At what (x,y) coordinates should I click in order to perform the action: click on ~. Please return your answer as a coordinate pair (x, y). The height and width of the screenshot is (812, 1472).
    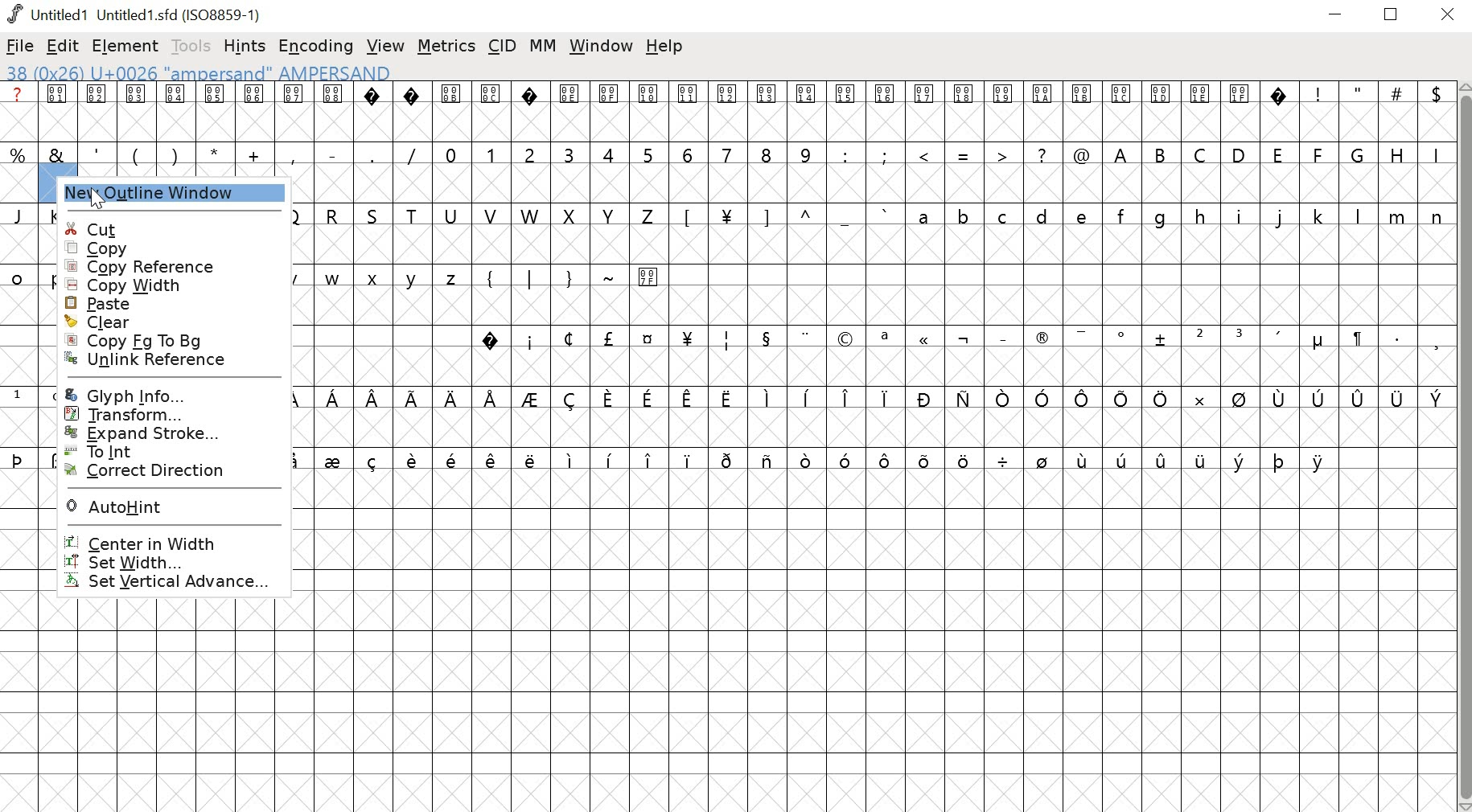
    Looking at the image, I should click on (611, 275).